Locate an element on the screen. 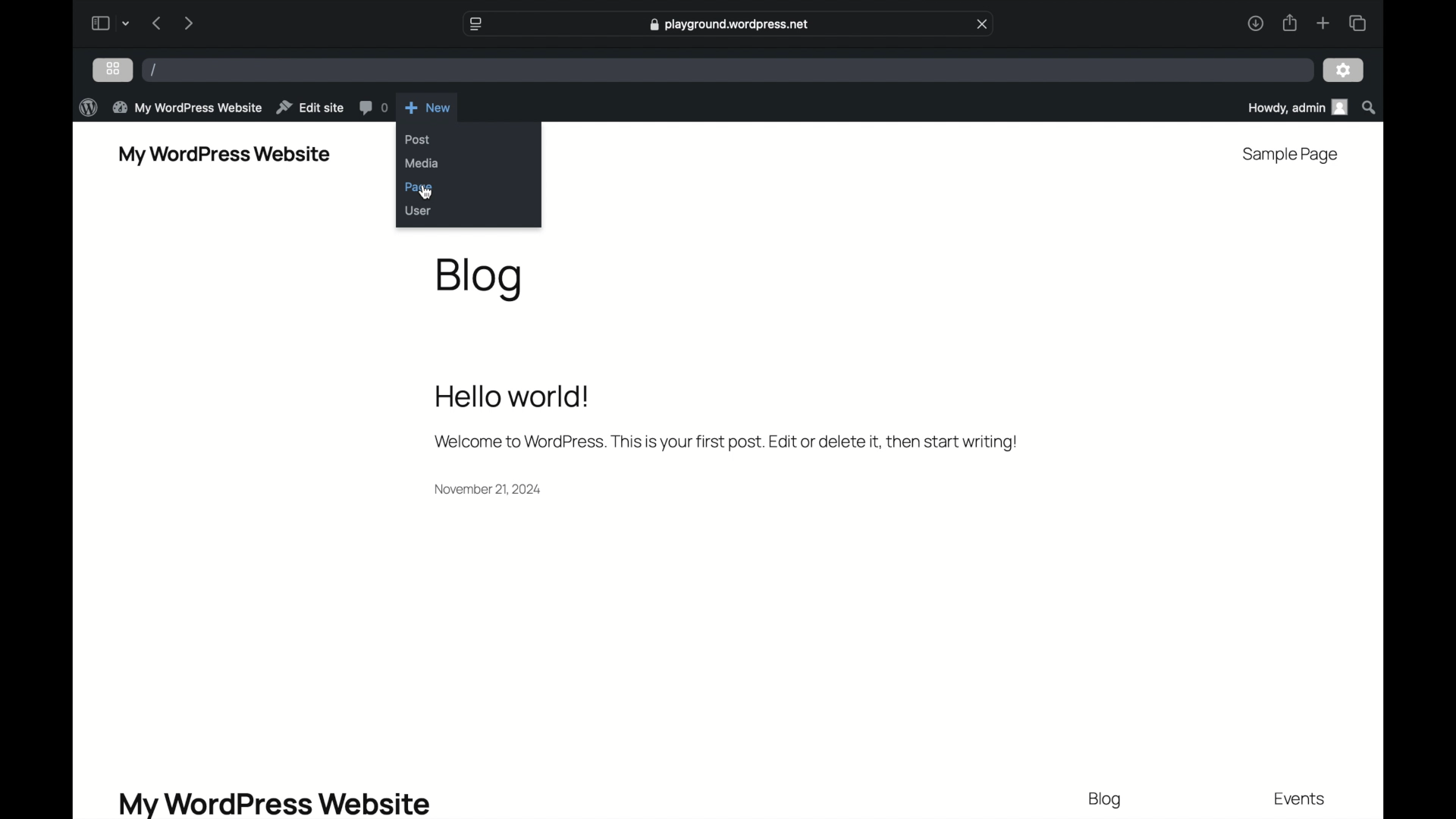  my wordpress website is located at coordinates (273, 802).